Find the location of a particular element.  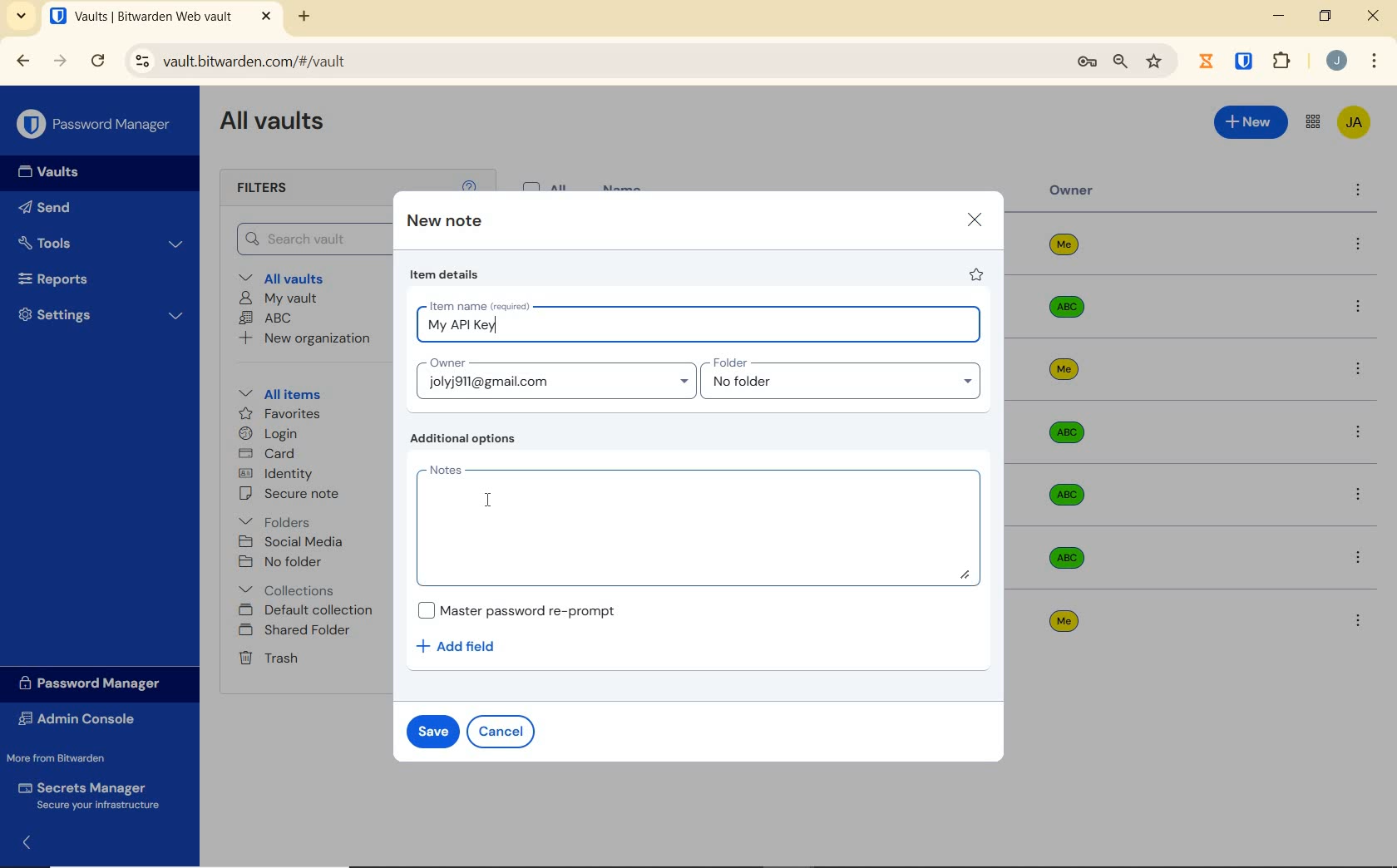

Input folder name is located at coordinates (844, 379).